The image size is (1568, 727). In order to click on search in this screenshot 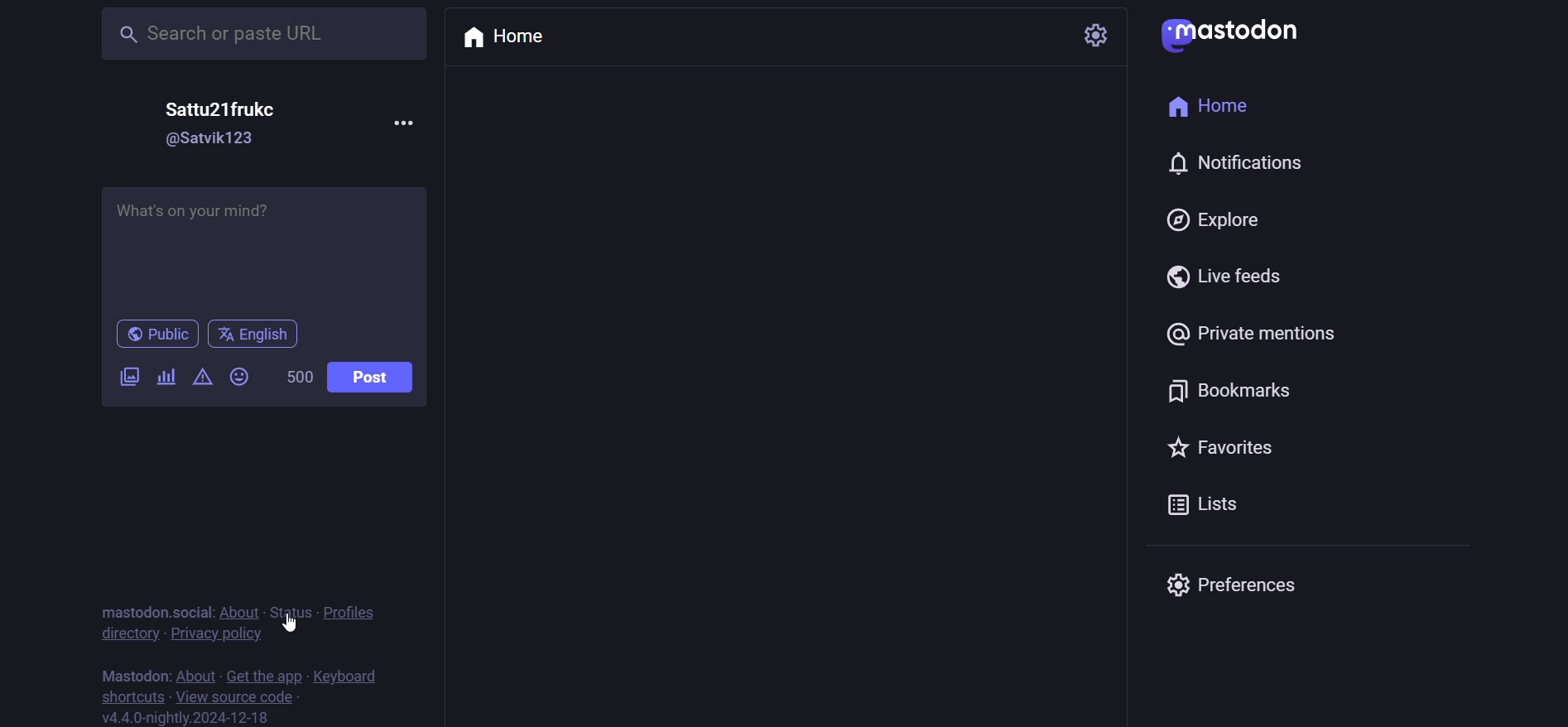, I will do `click(254, 36)`.